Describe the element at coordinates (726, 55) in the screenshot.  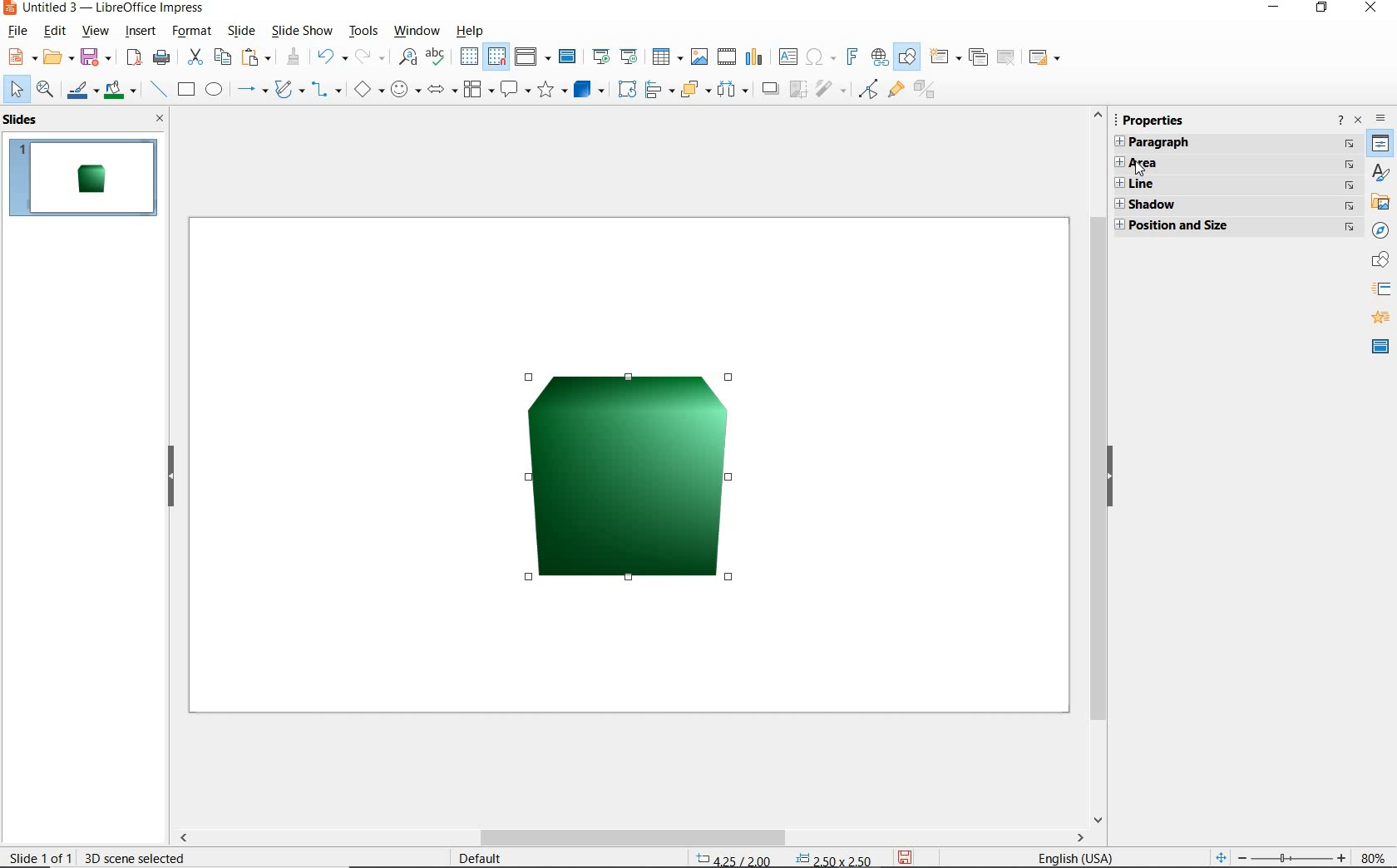
I see `insert audio or video` at that location.